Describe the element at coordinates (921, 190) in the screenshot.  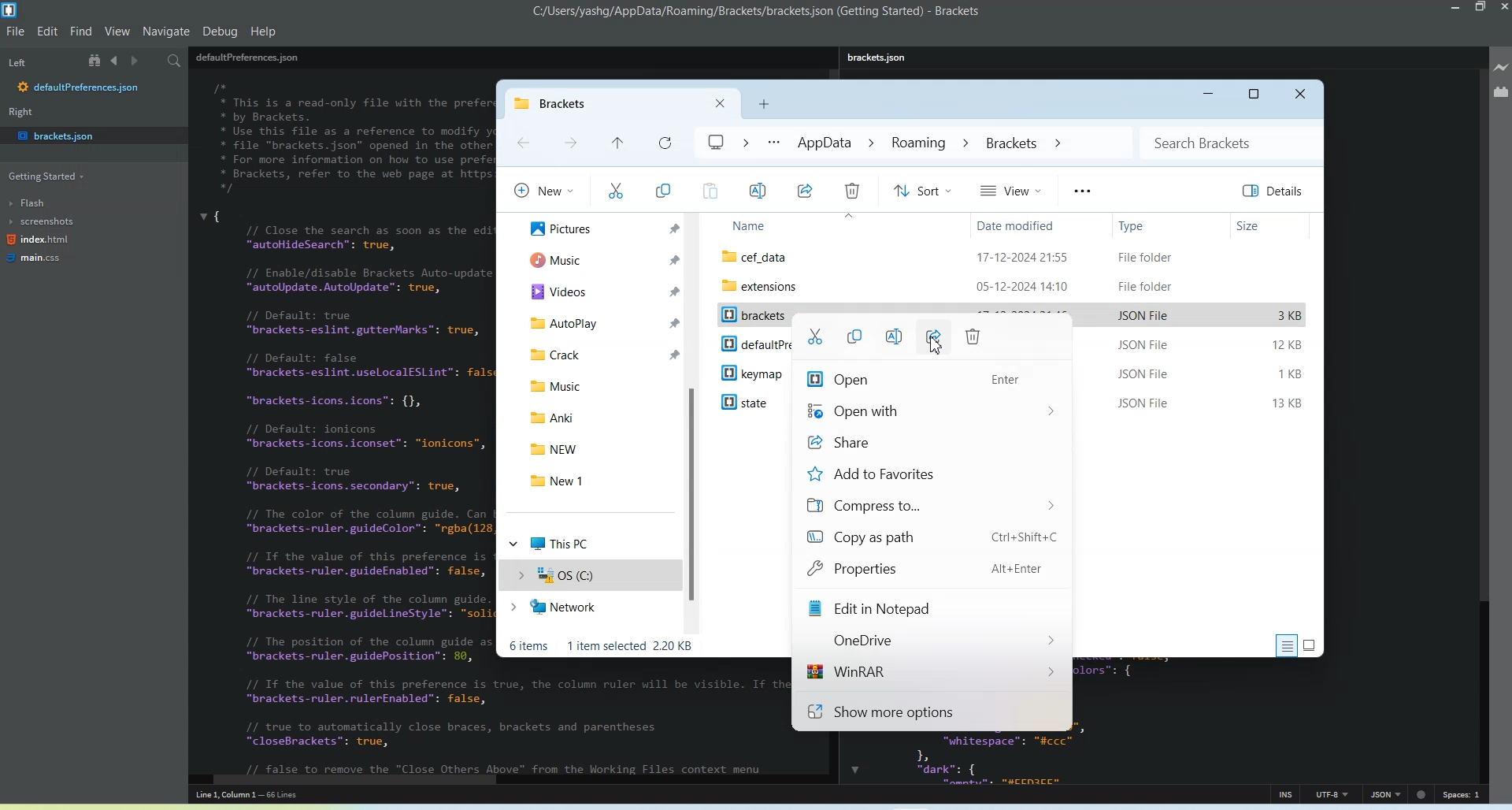
I see `Sort` at that location.